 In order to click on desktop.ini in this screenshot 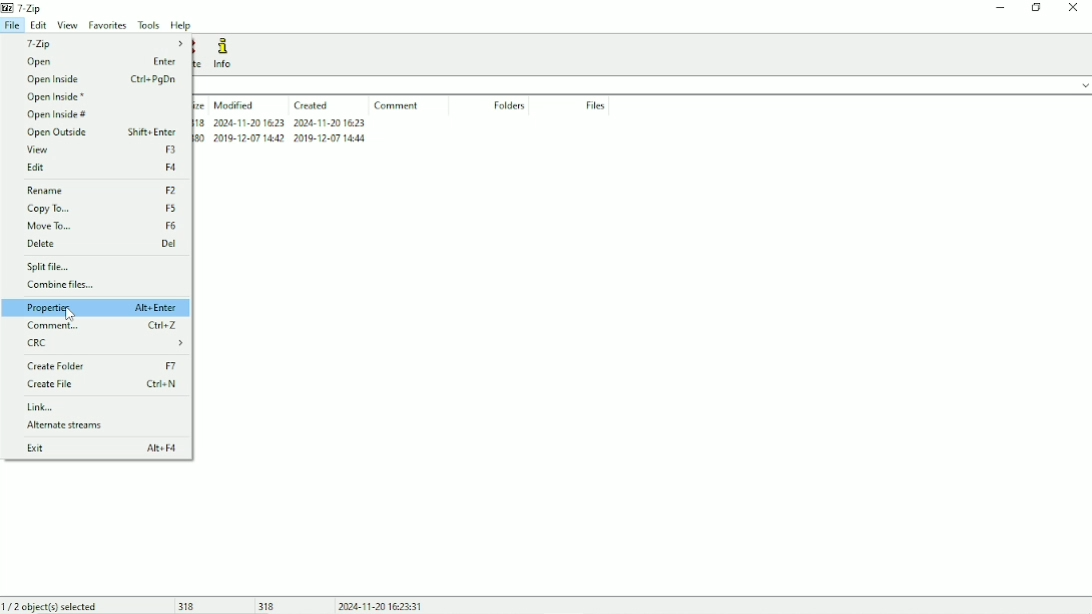, I will do `click(282, 140)`.